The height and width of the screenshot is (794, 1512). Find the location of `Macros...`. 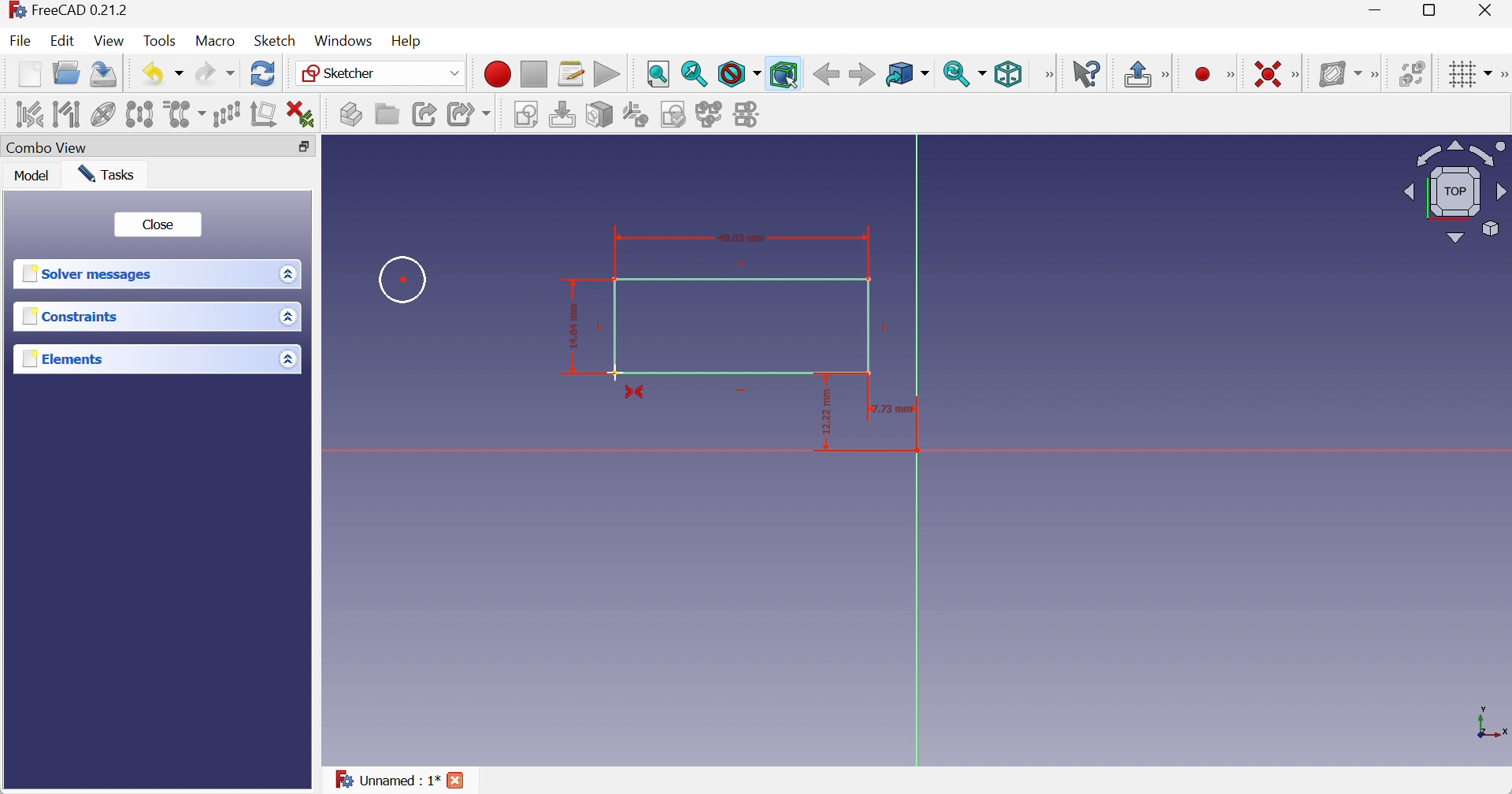

Macros... is located at coordinates (571, 75).